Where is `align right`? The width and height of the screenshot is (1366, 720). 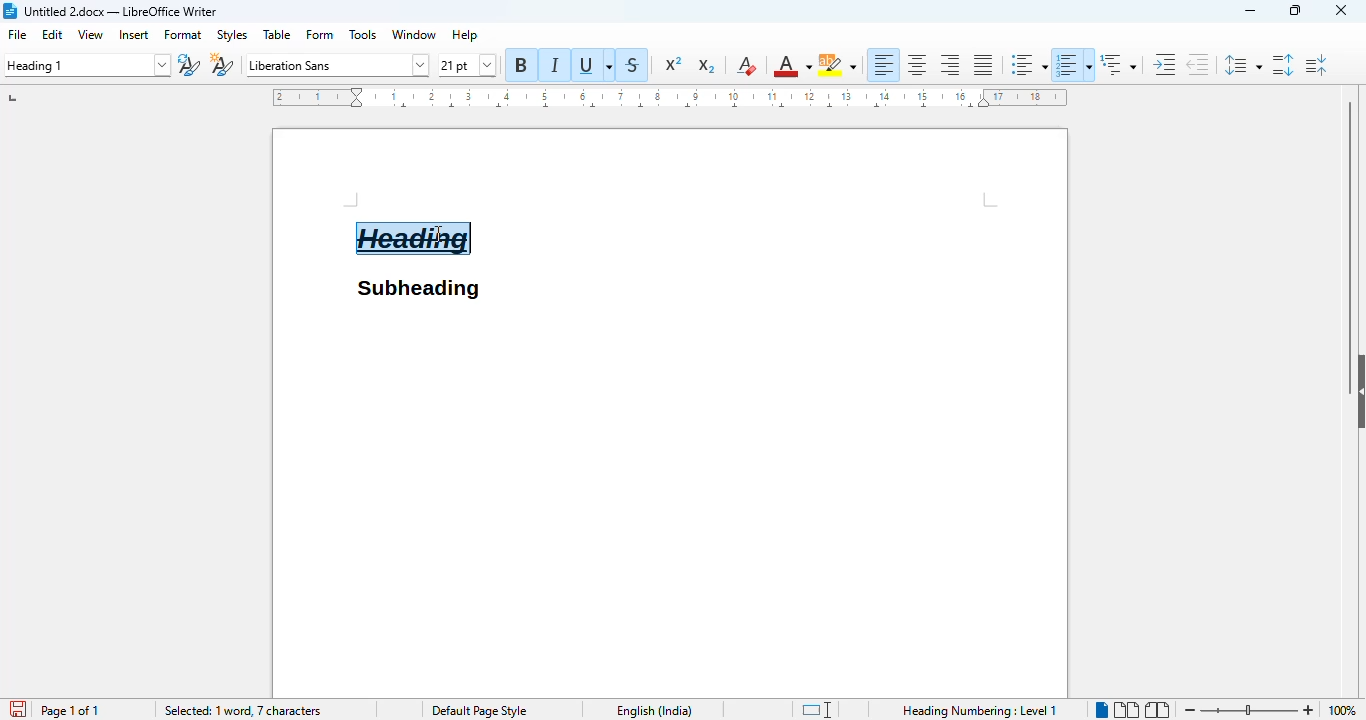 align right is located at coordinates (950, 64).